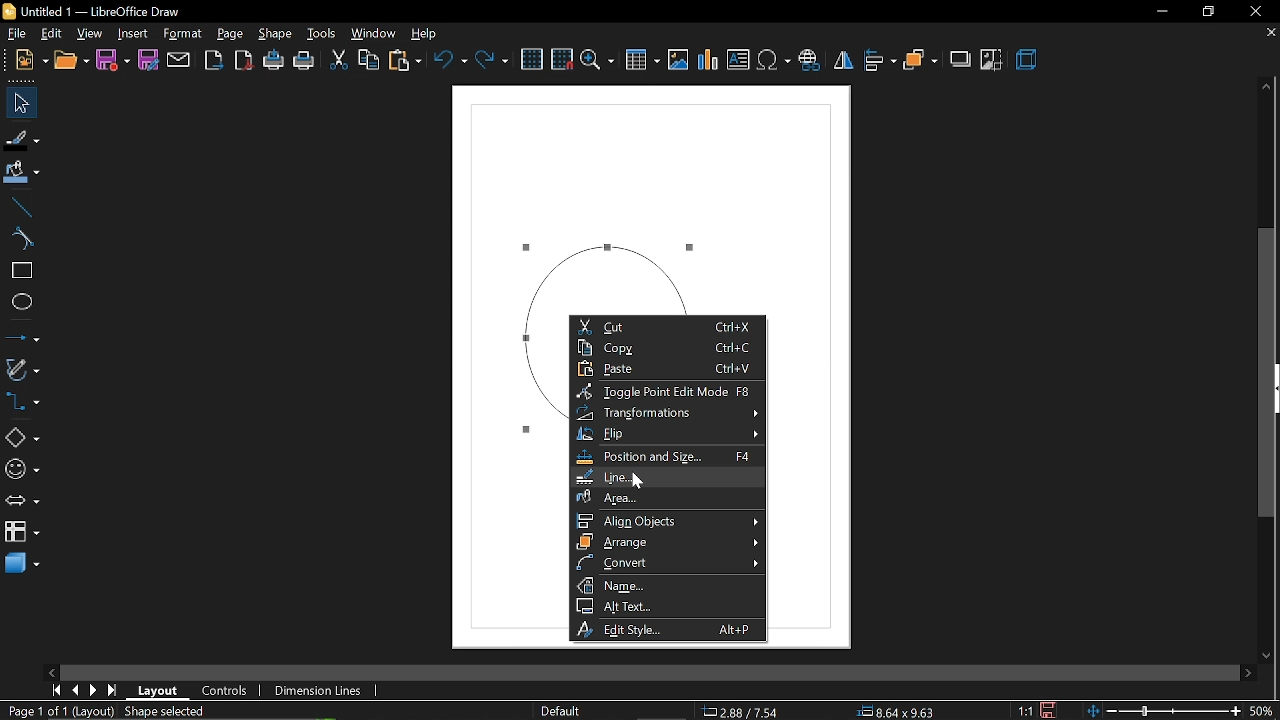 This screenshot has width=1280, height=720. Describe the element at coordinates (93, 11) in the screenshot. I see `Untitled 1 - LibreOffice Draw` at that location.